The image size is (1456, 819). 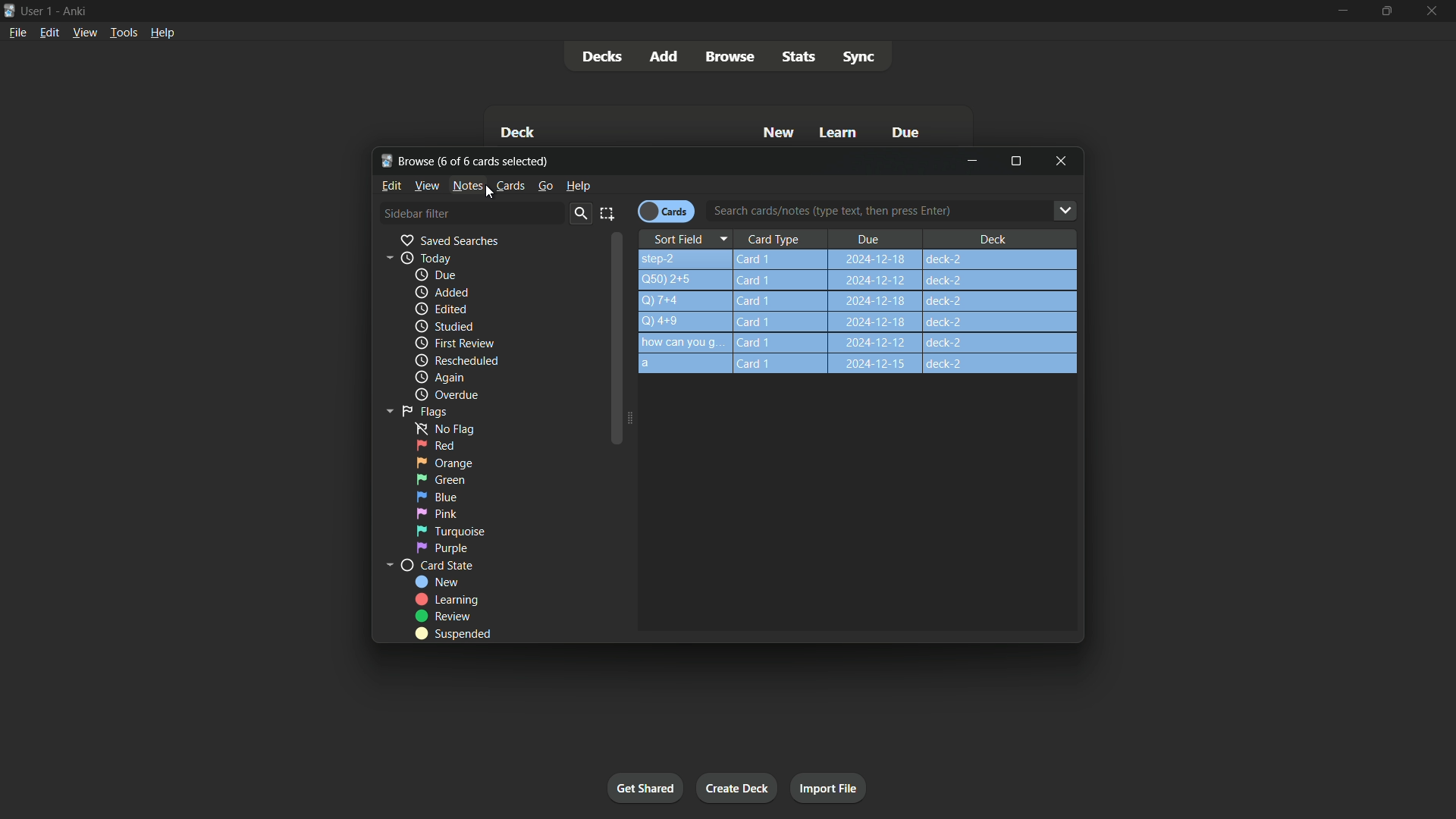 What do you see at coordinates (830, 789) in the screenshot?
I see `Import file` at bounding box center [830, 789].